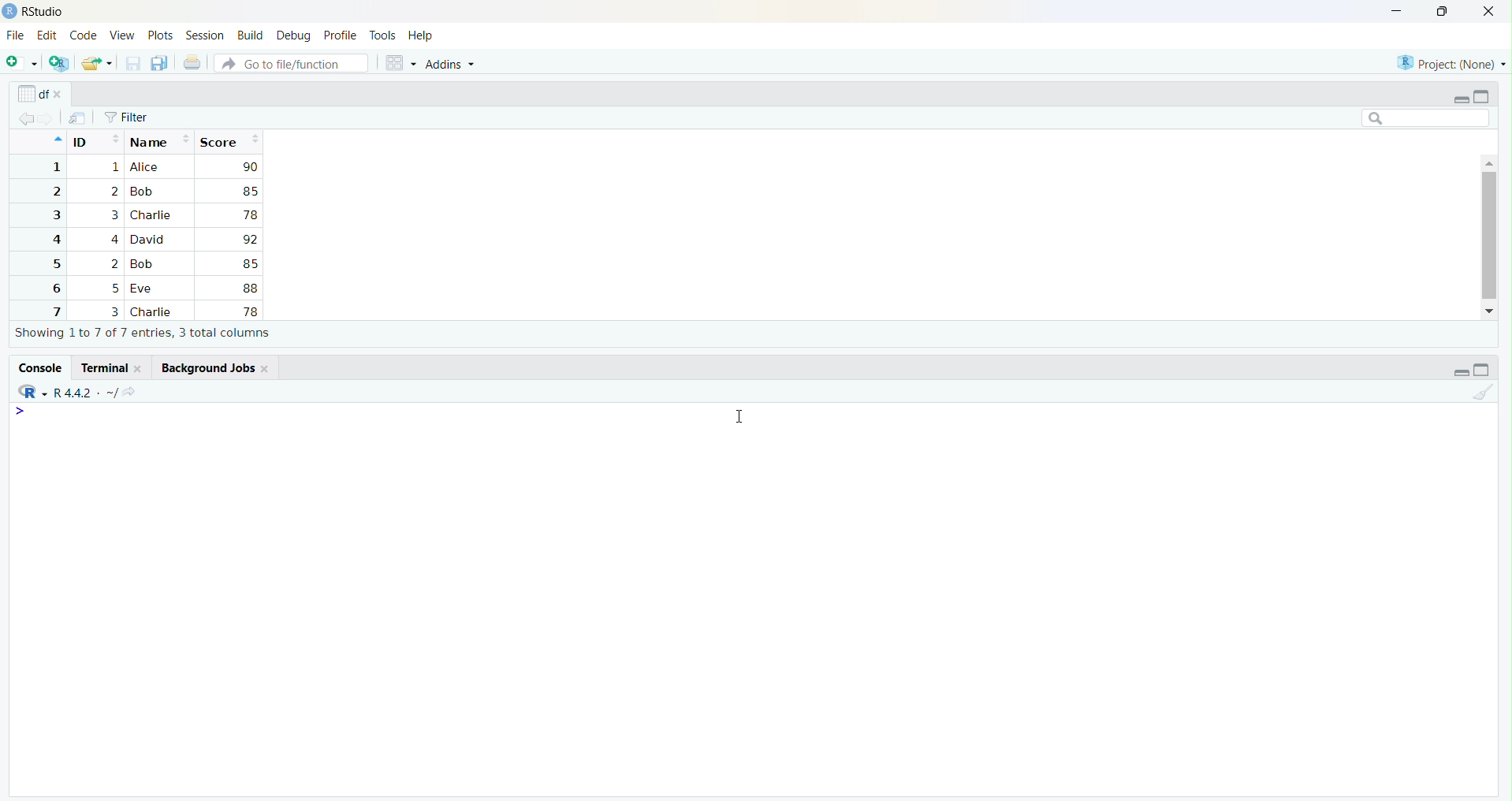  I want to click on Build, so click(251, 35).